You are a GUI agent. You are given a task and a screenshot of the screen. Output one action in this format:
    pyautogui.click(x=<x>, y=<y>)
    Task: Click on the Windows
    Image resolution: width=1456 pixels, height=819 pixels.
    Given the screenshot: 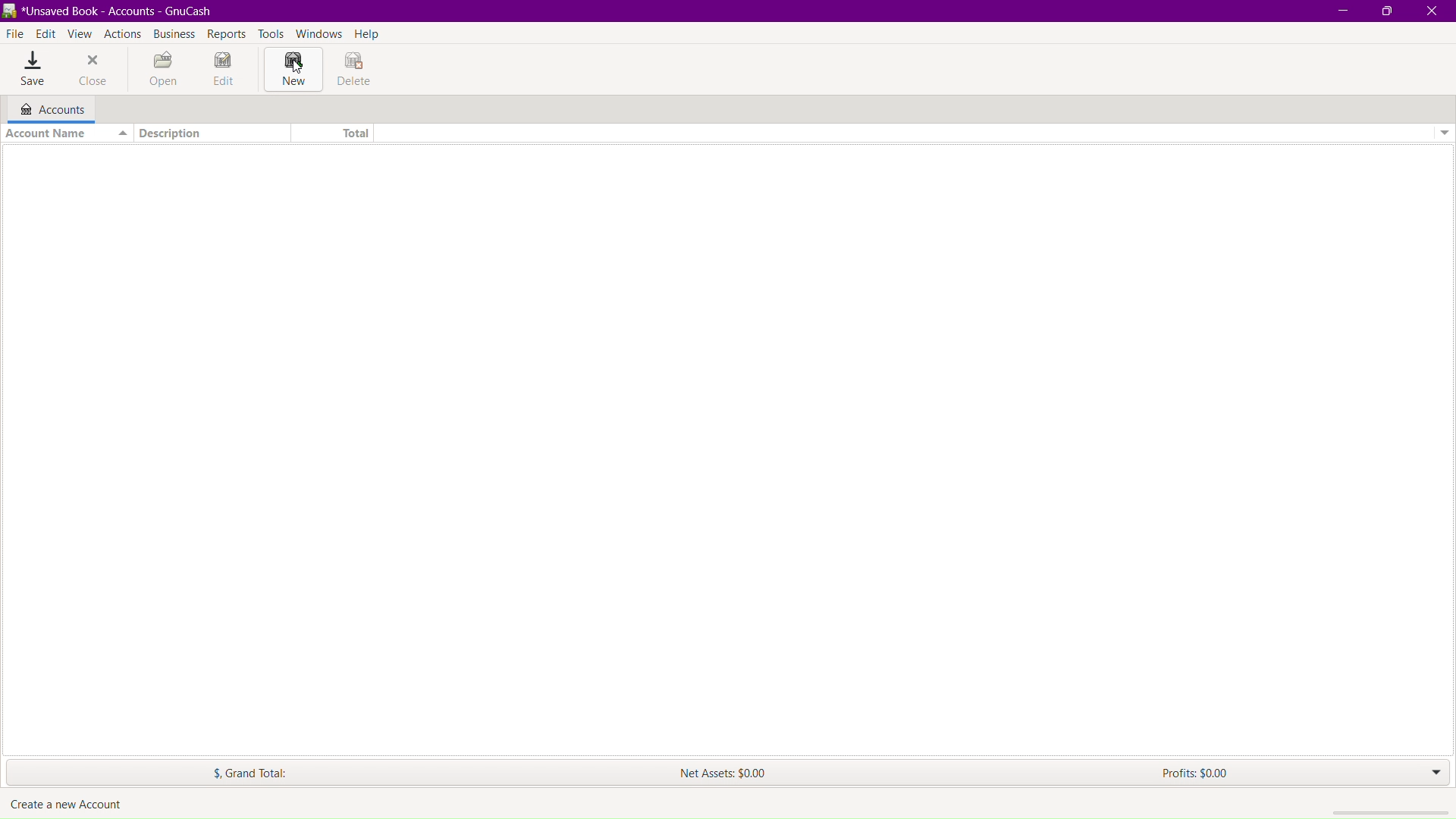 What is the action you would take?
    pyautogui.click(x=319, y=32)
    